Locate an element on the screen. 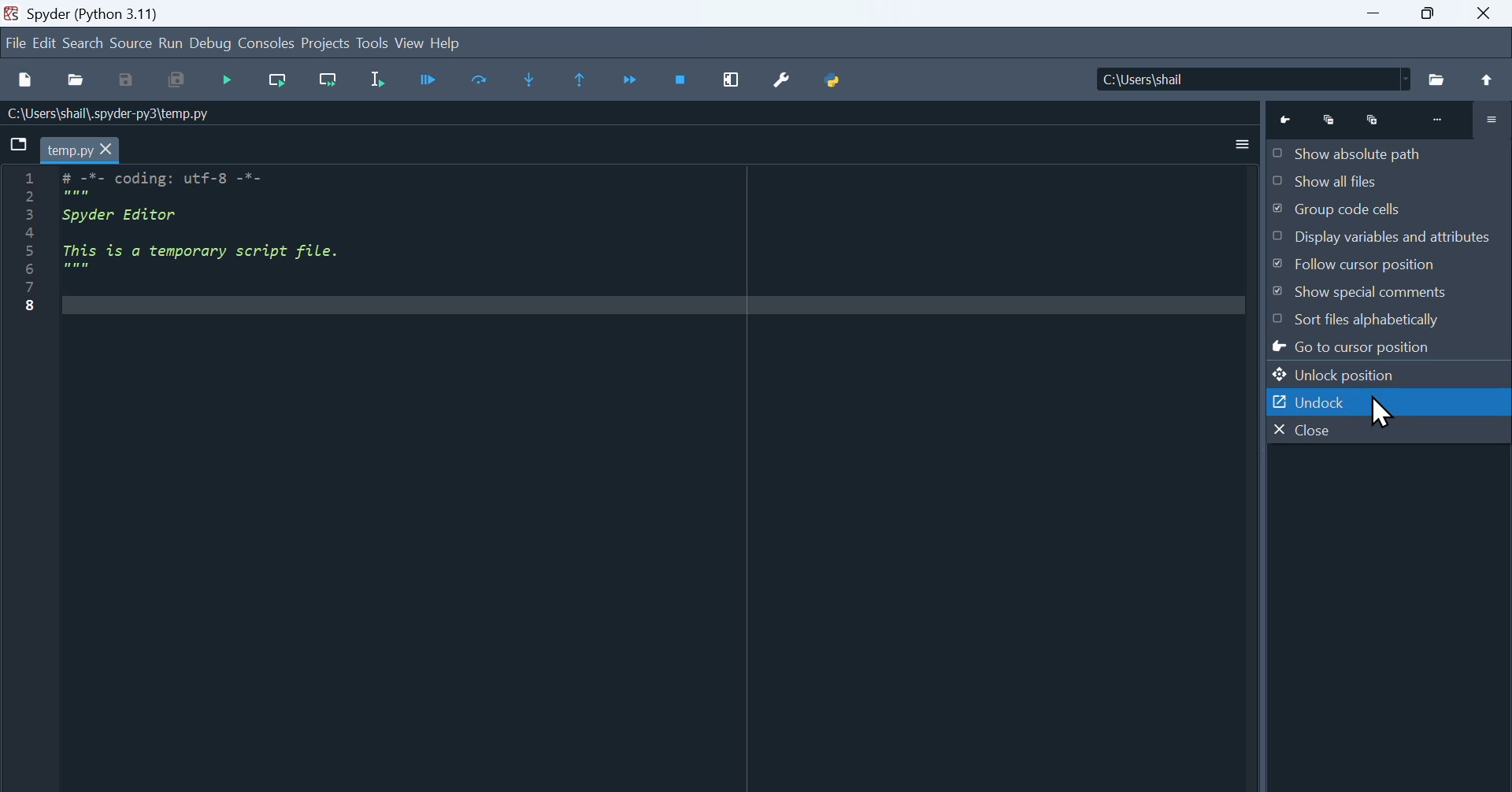  So special comments is located at coordinates (1389, 294).